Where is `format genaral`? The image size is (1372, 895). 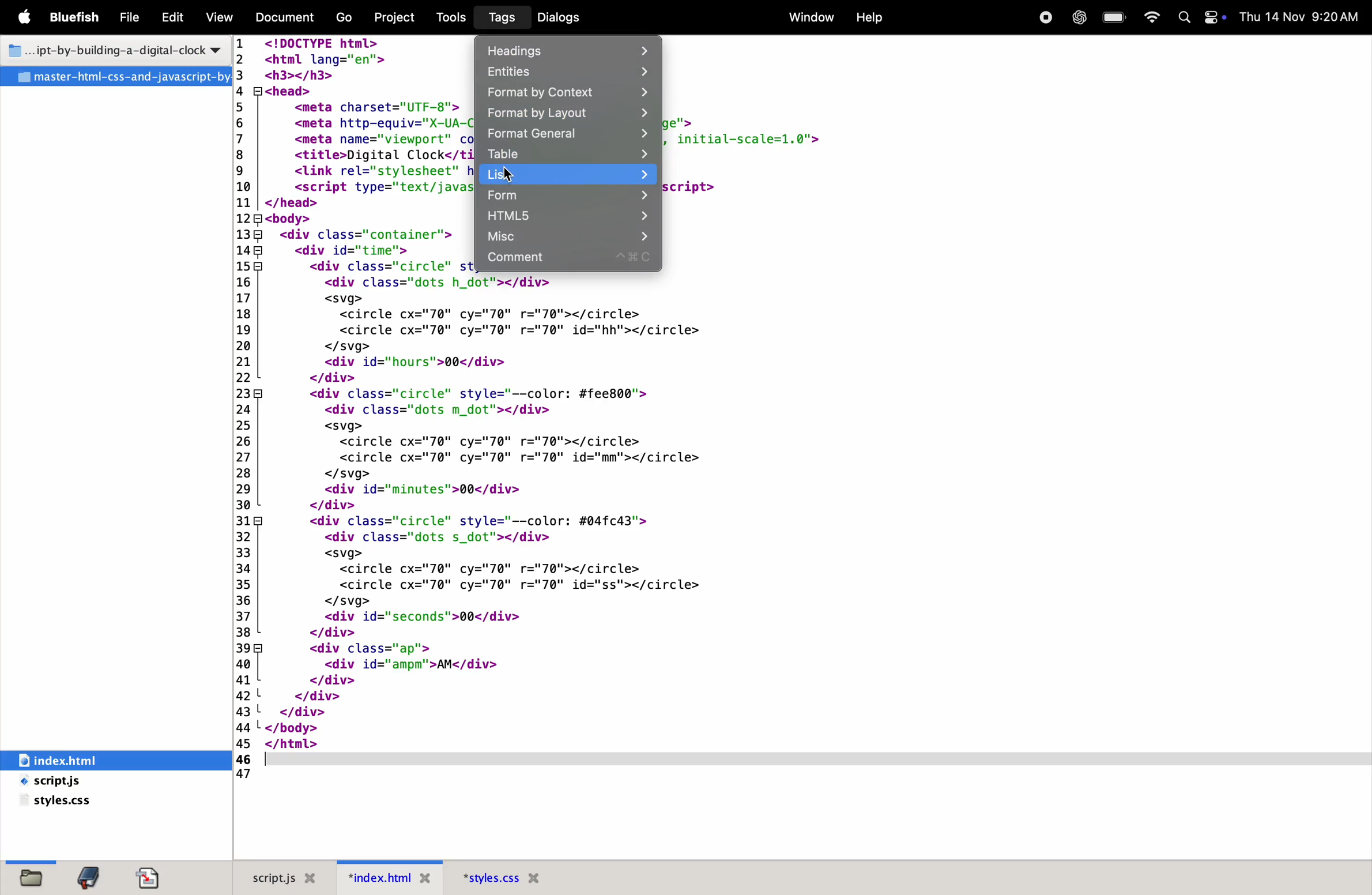
format genaral is located at coordinates (568, 133).